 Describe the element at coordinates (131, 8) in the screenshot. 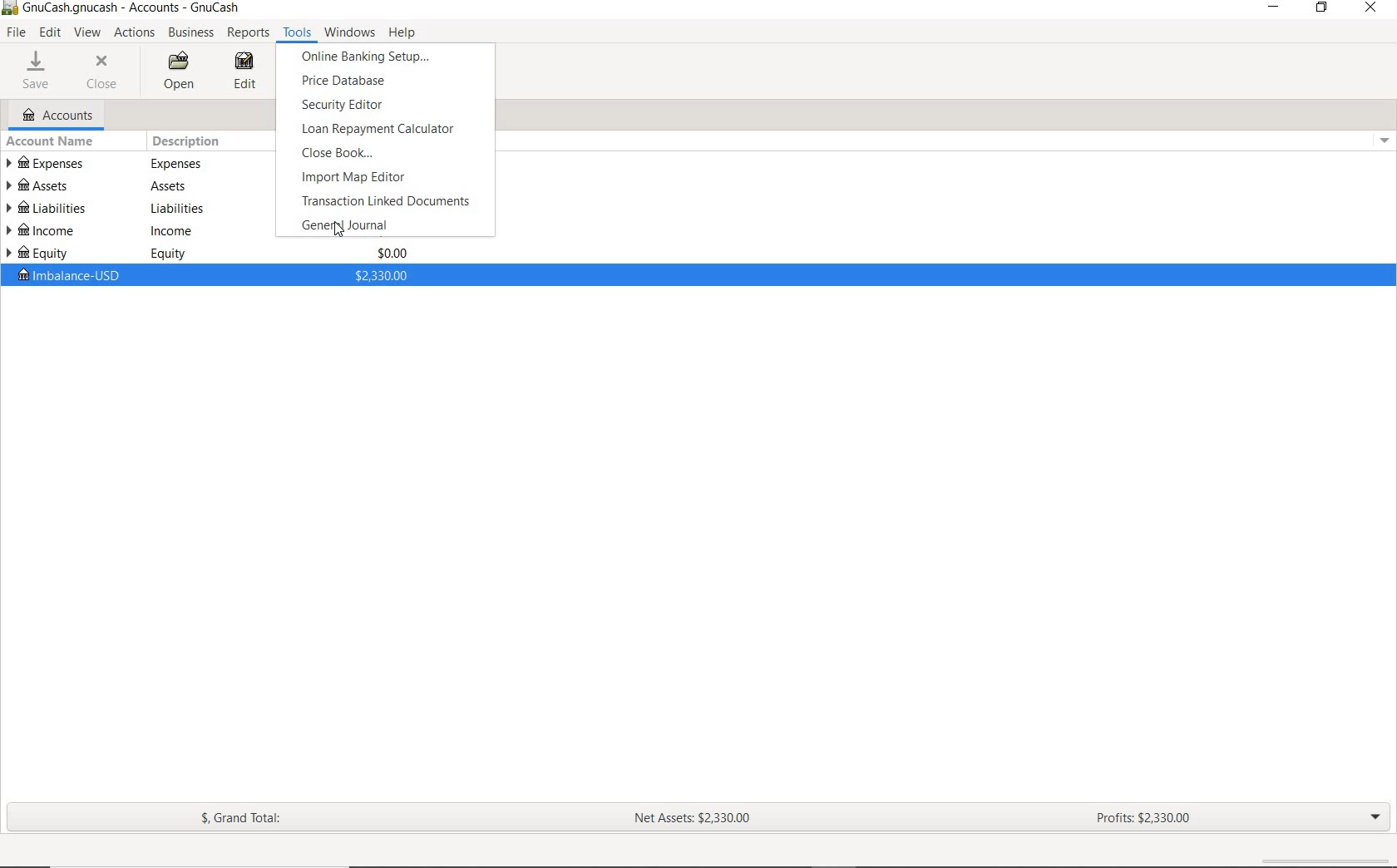

I see `Text` at that location.